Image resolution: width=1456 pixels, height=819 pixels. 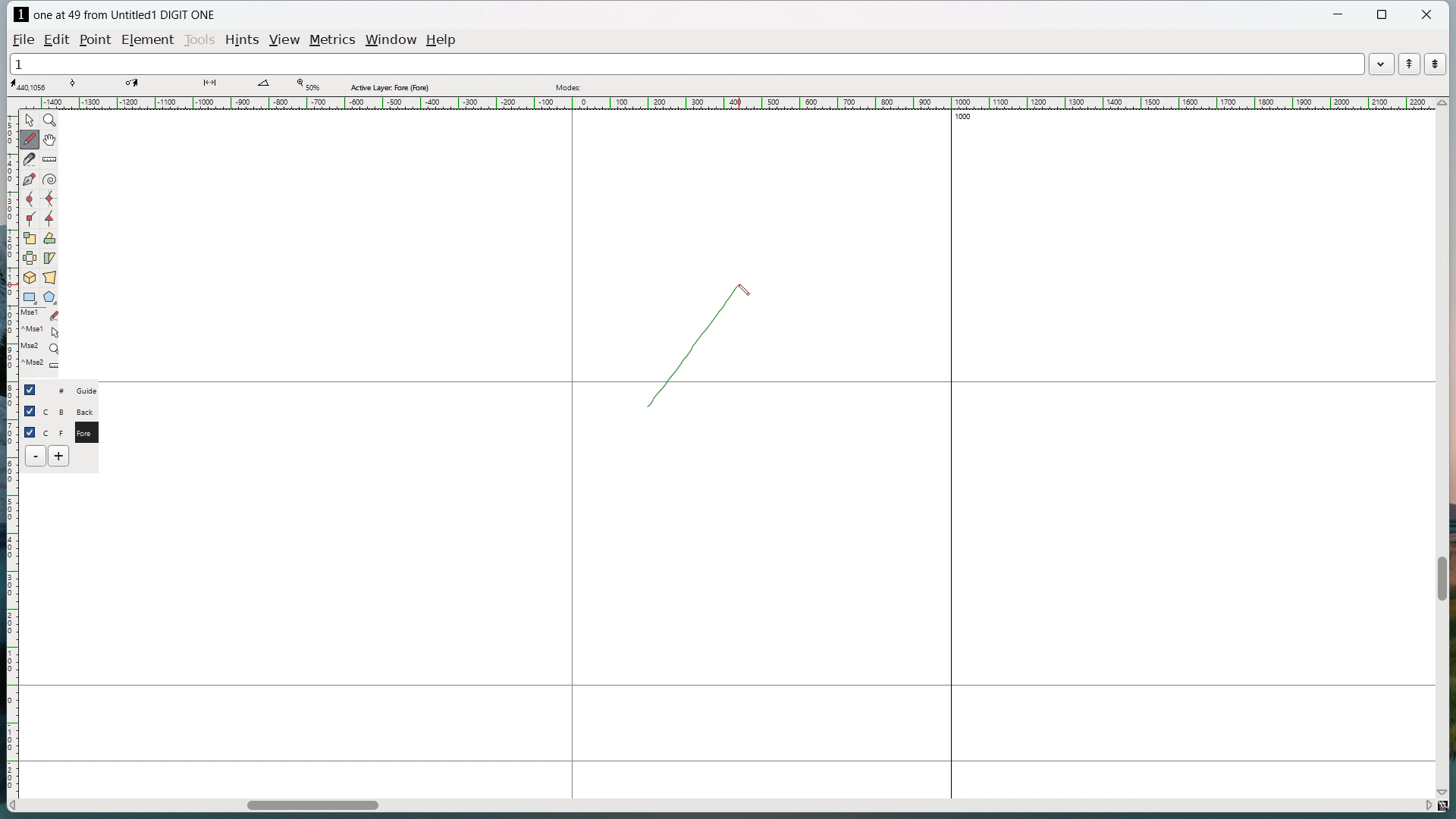 What do you see at coordinates (30, 237) in the screenshot?
I see `scale` at bounding box center [30, 237].